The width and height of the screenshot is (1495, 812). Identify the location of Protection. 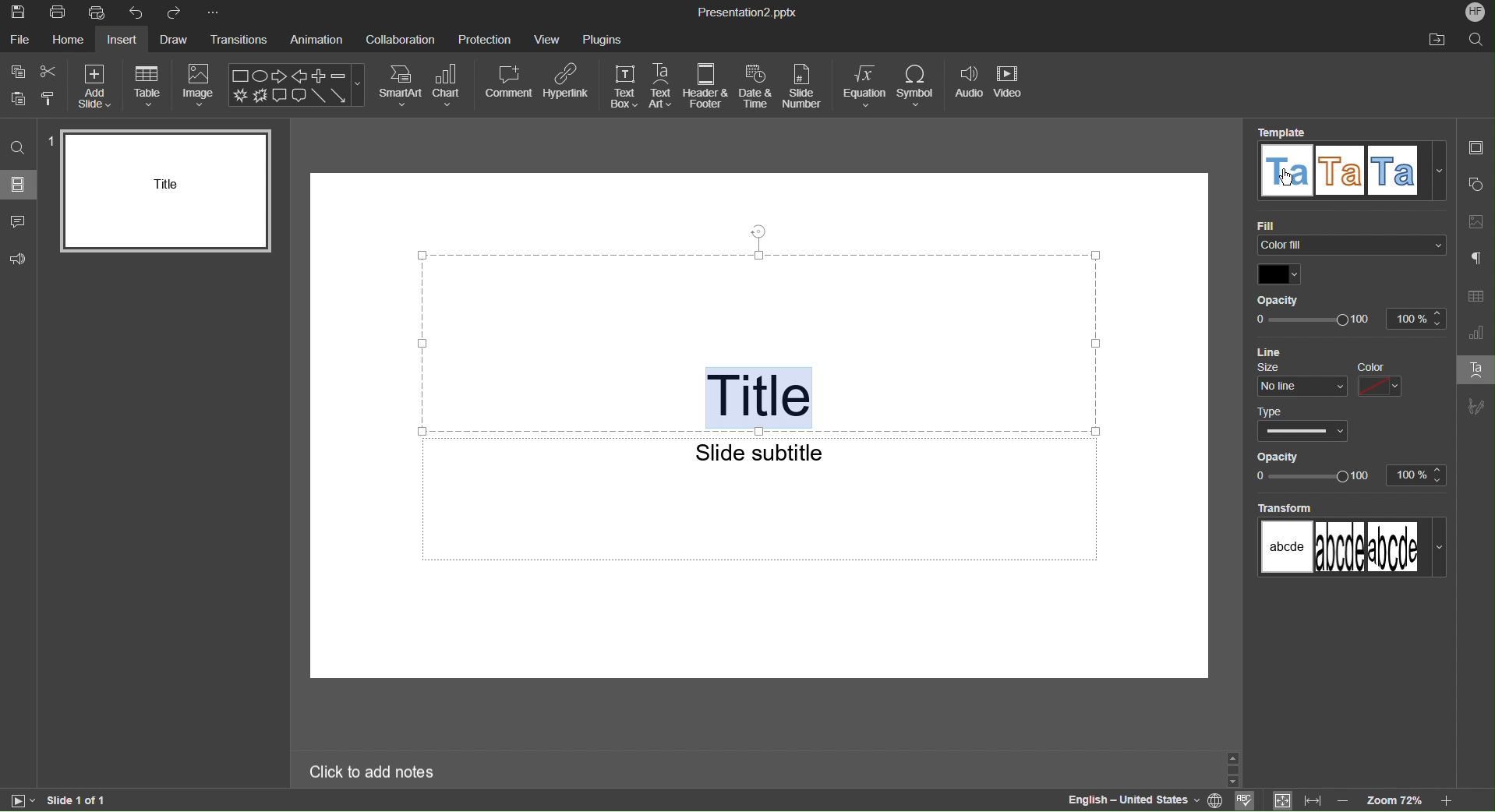
(486, 38).